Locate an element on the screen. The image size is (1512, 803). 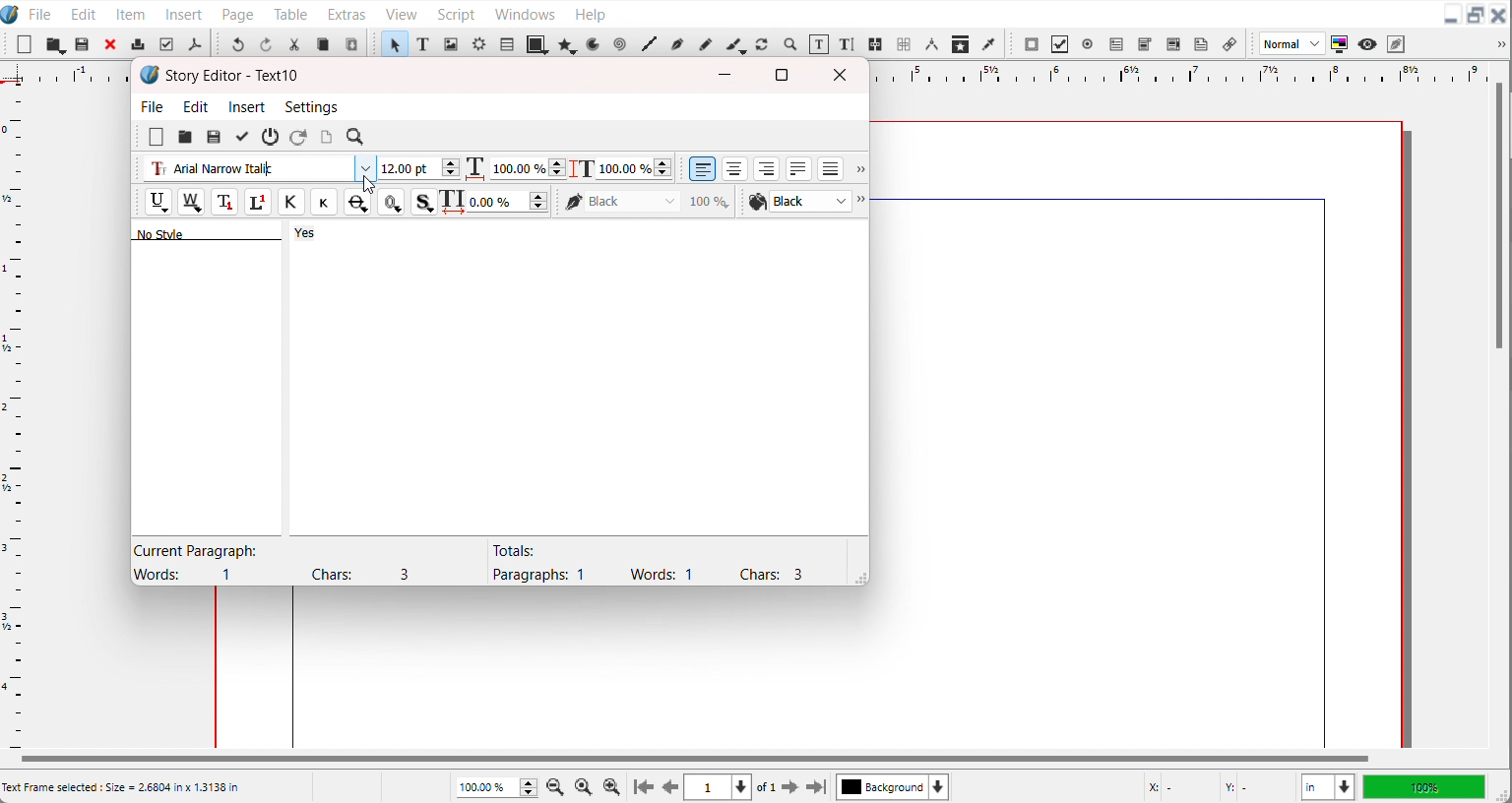
Toggle color is located at coordinates (1341, 44).